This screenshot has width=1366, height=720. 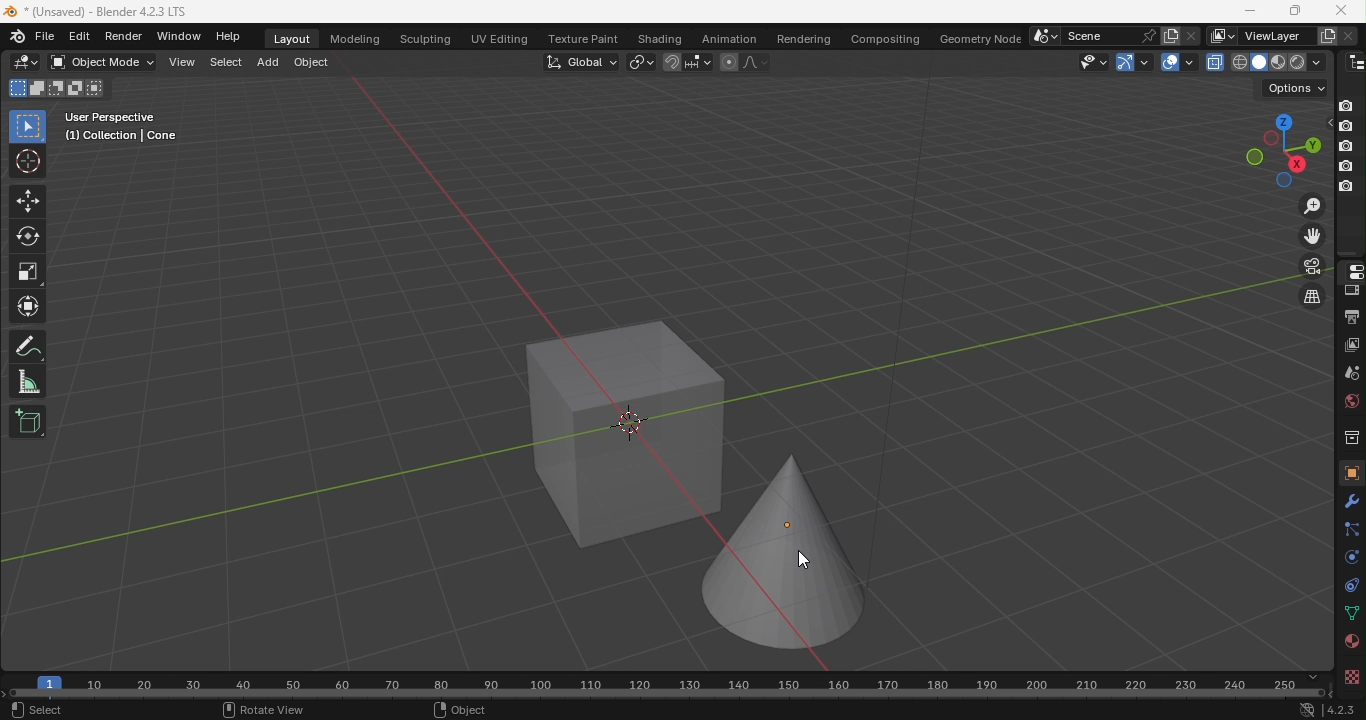 I want to click on Transform pivot point, so click(x=638, y=61).